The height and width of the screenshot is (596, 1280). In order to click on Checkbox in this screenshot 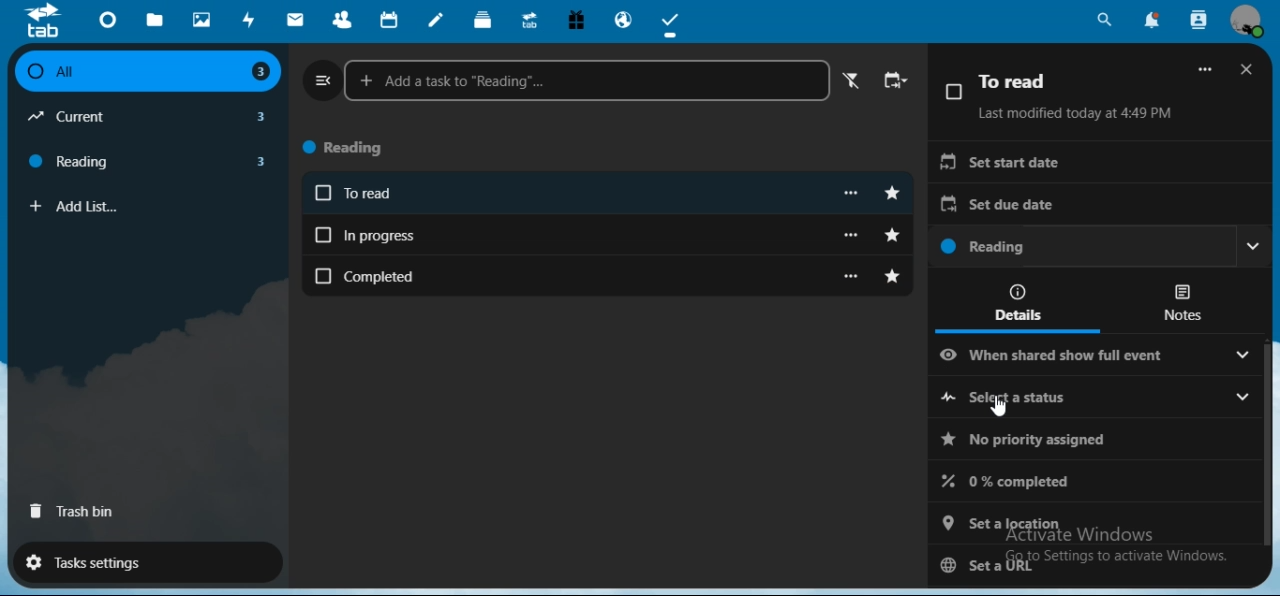, I will do `click(323, 276)`.